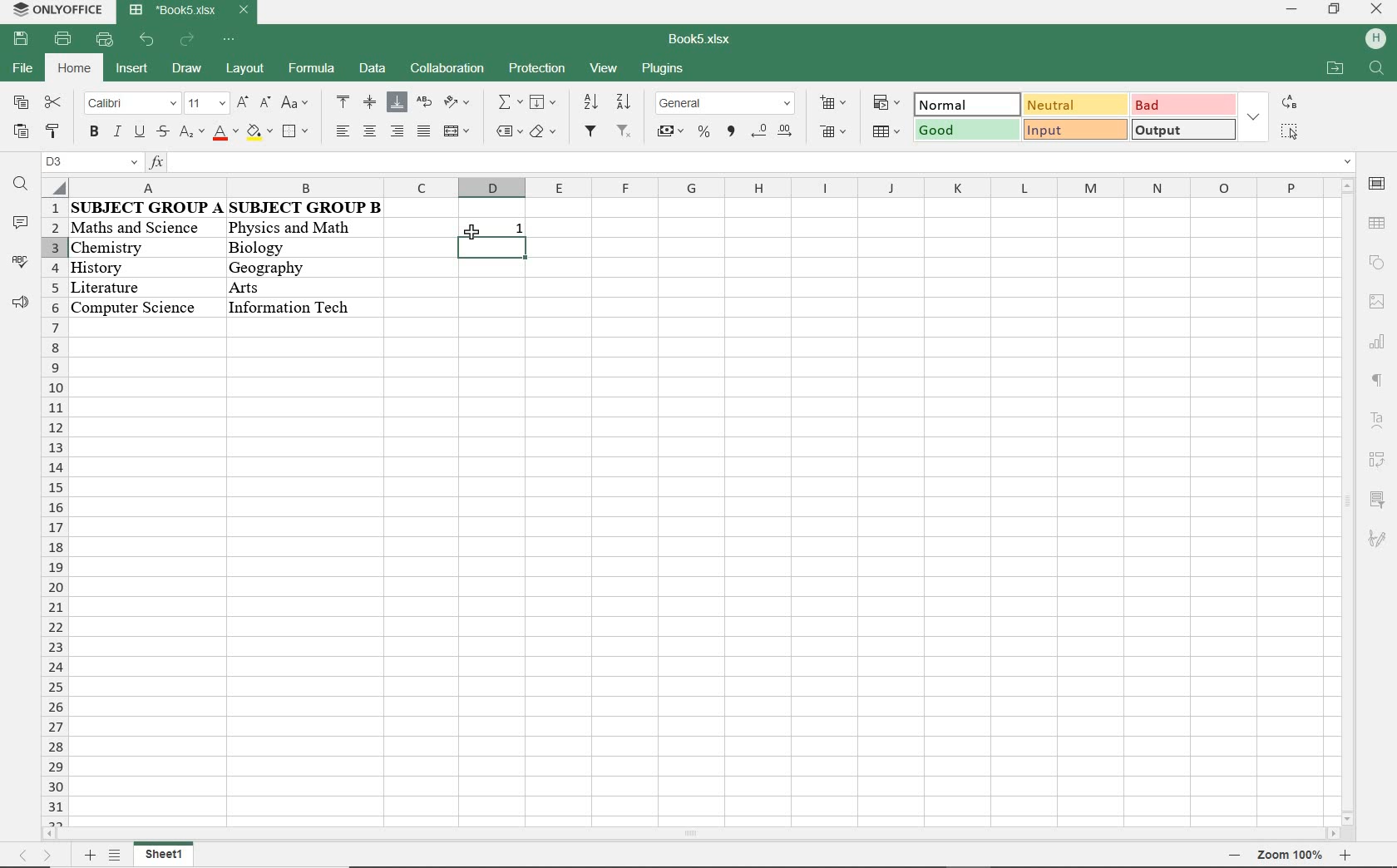 Image resolution: width=1397 pixels, height=868 pixels. Describe the element at coordinates (297, 133) in the screenshot. I see `borders` at that location.